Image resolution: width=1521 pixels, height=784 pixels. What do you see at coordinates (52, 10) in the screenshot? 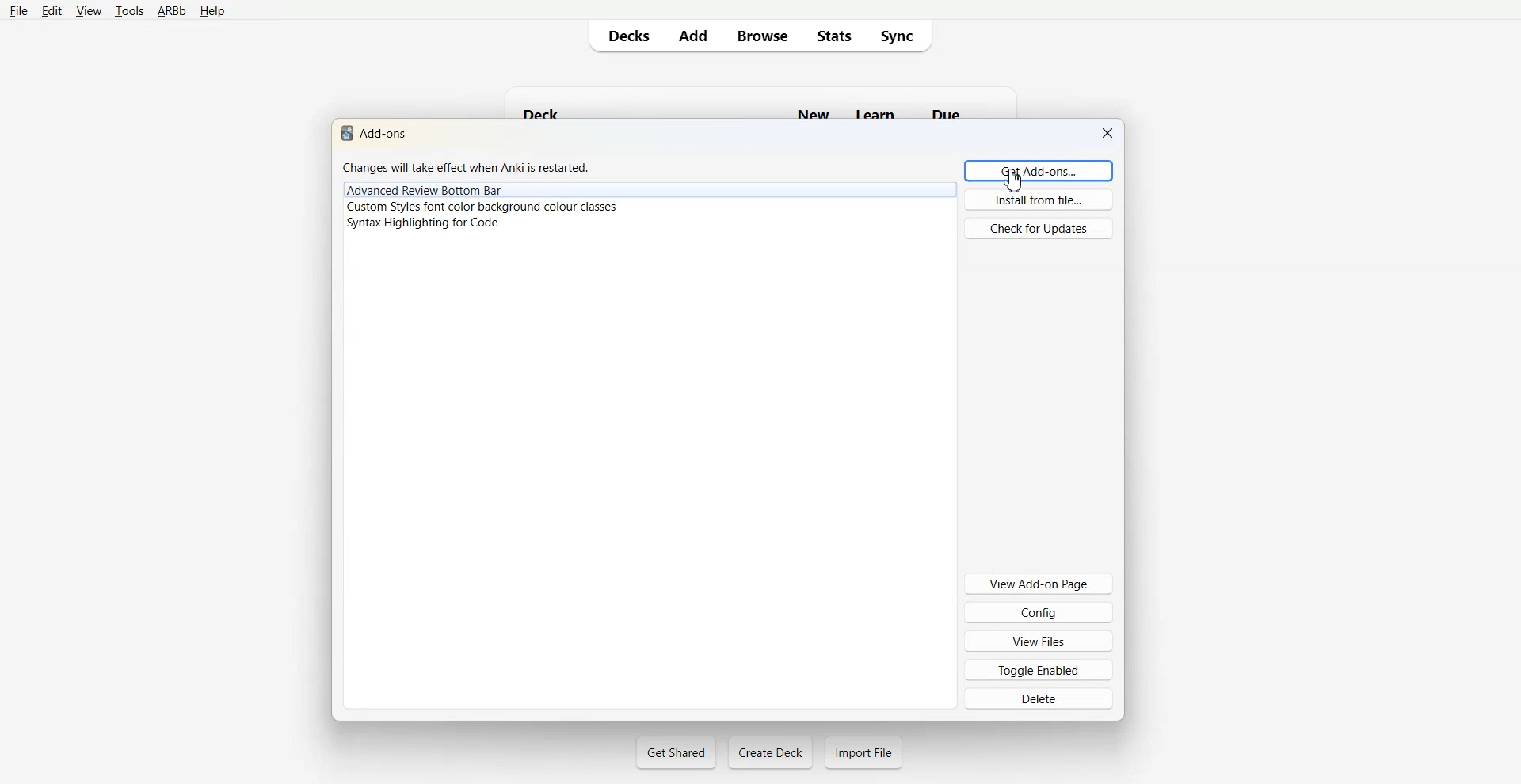
I see `Edit` at bounding box center [52, 10].